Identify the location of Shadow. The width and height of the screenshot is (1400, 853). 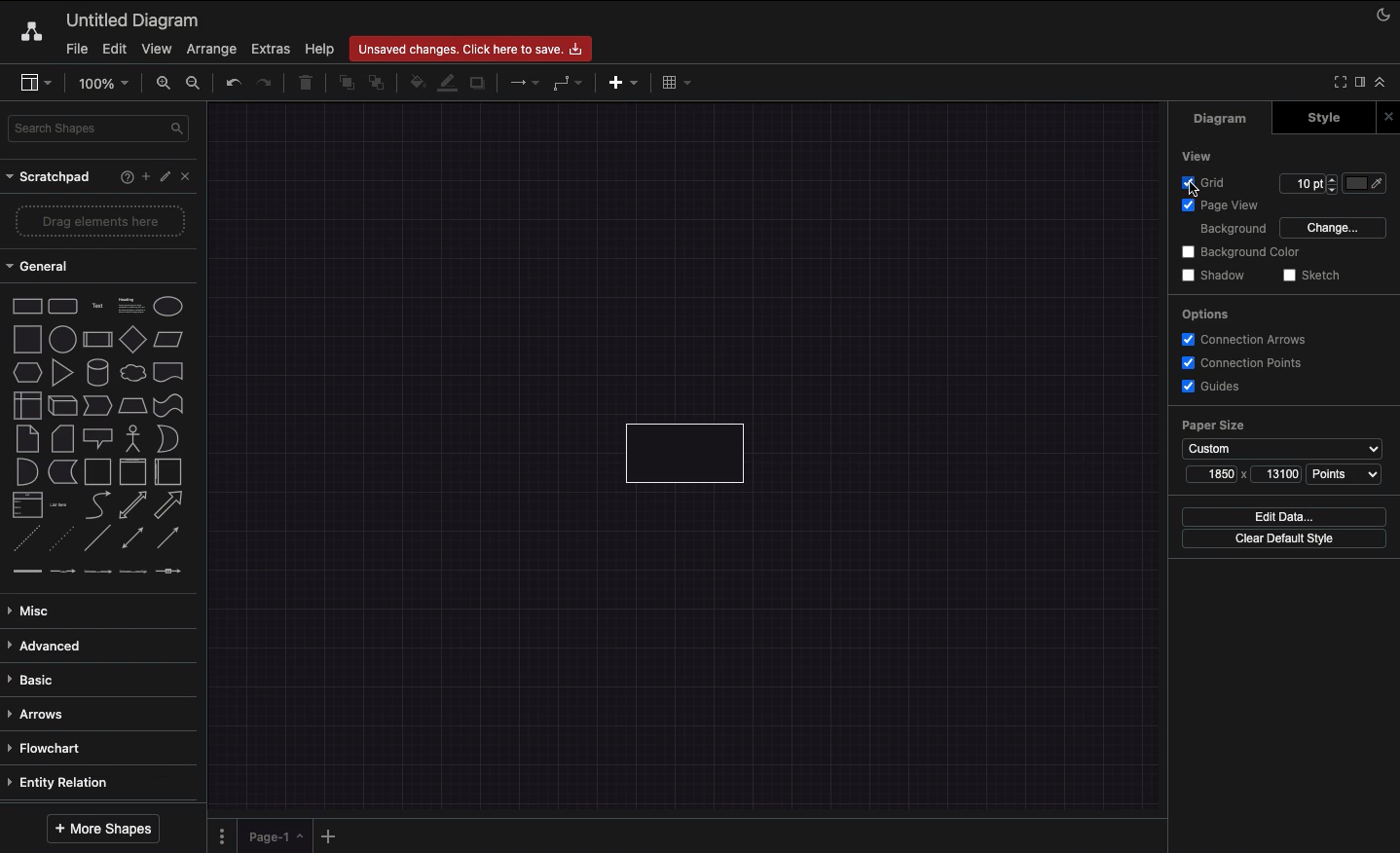
(1217, 277).